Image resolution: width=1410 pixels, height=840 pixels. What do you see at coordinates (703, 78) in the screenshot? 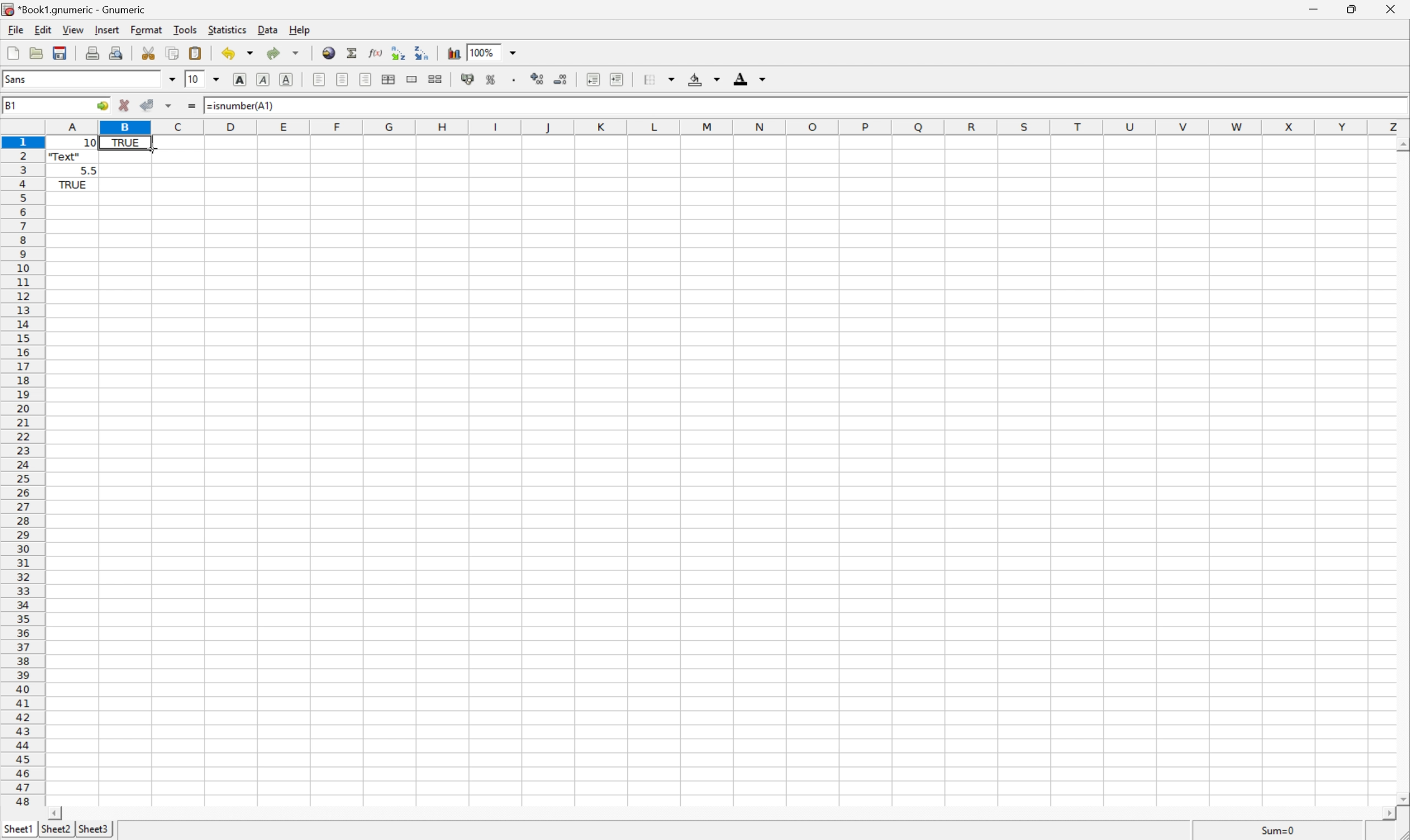
I see `Background` at bounding box center [703, 78].